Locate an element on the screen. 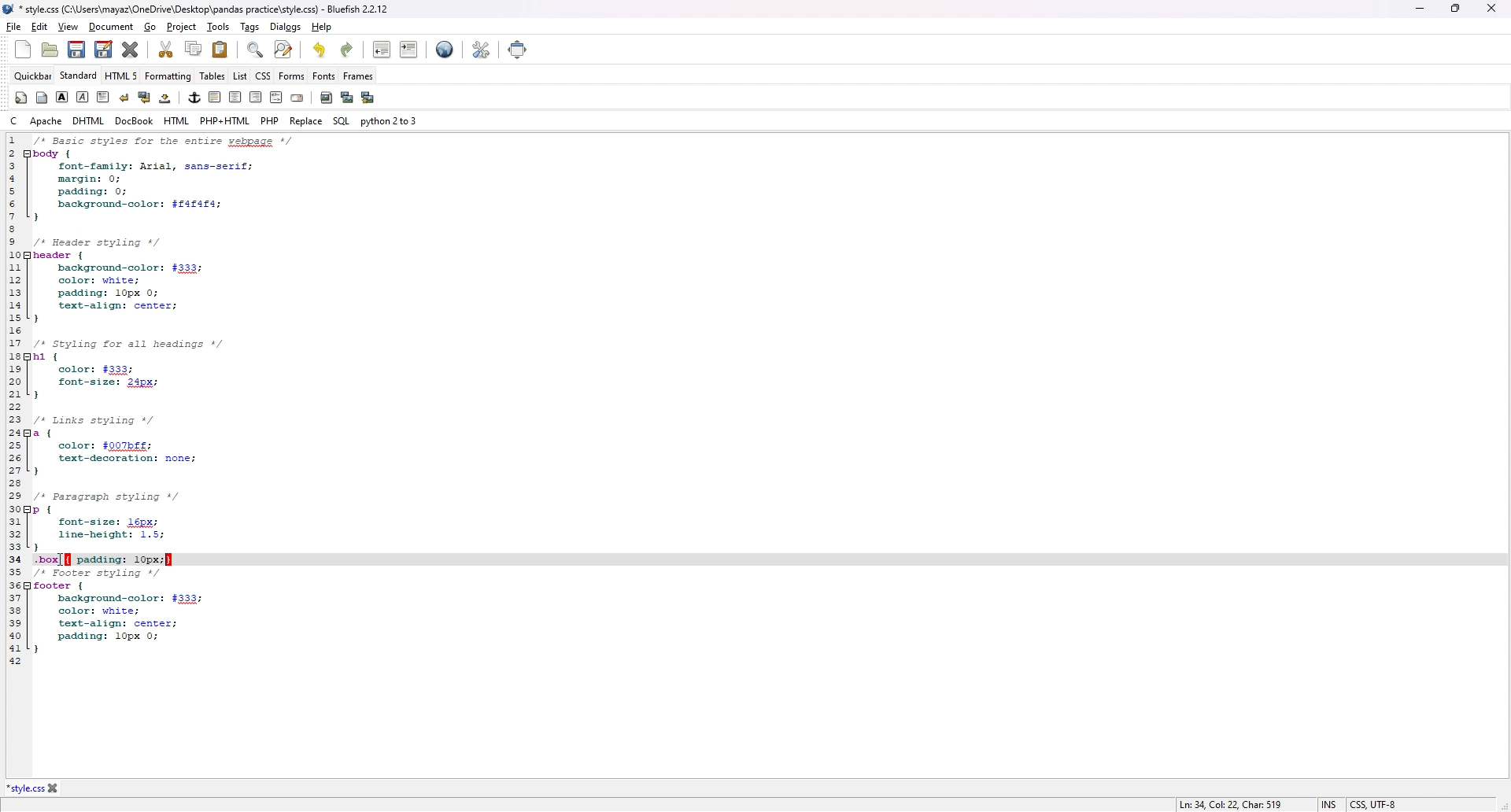 Image resolution: width=1511 pixels, height=812 pixels. html is located at coordinates (177, 121).